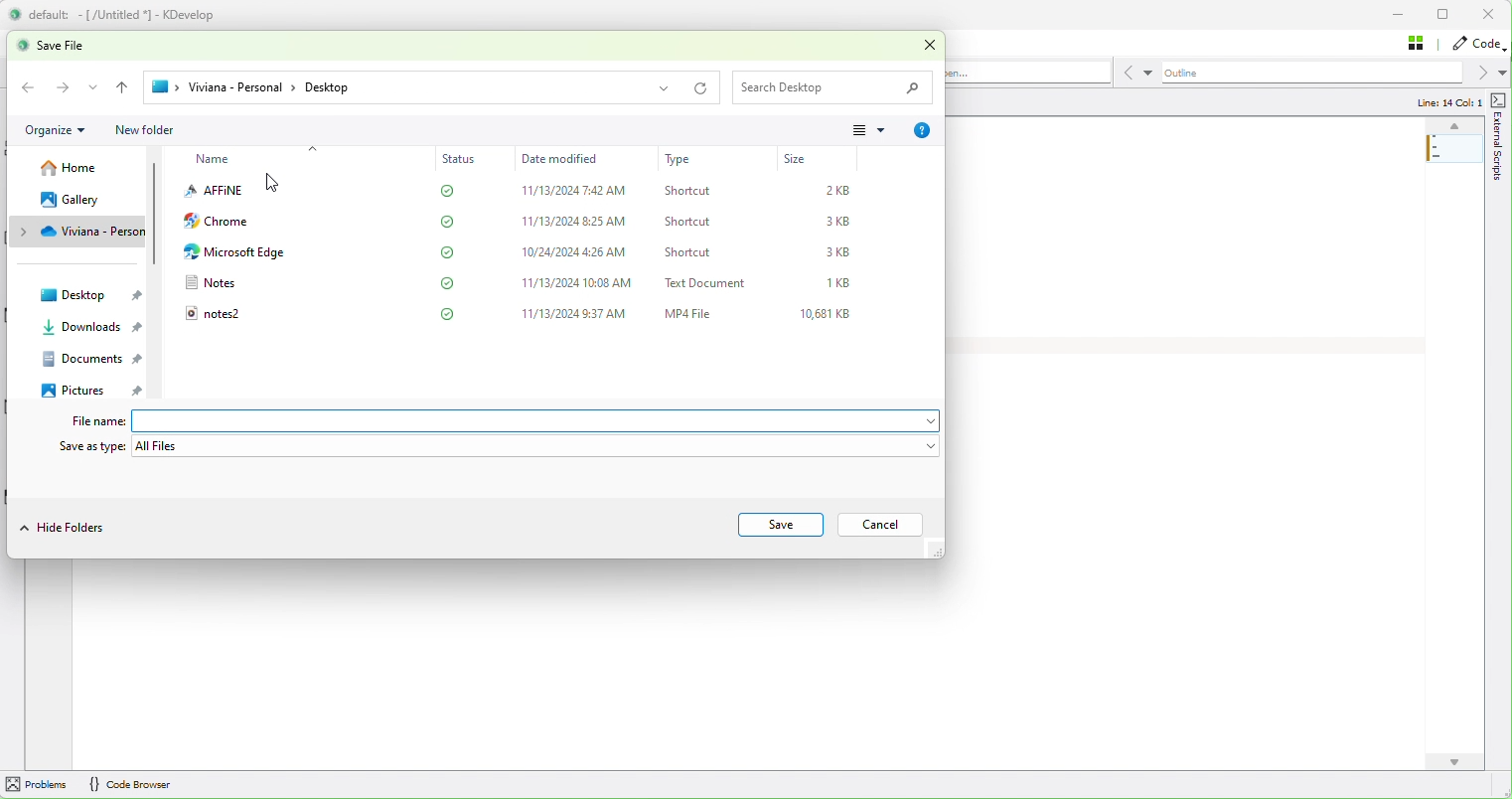 This screenshot has height=799, width=1512. Describe the element at coordinates (67, 526) in the screenshot. I see `Hide Folders` at that location.